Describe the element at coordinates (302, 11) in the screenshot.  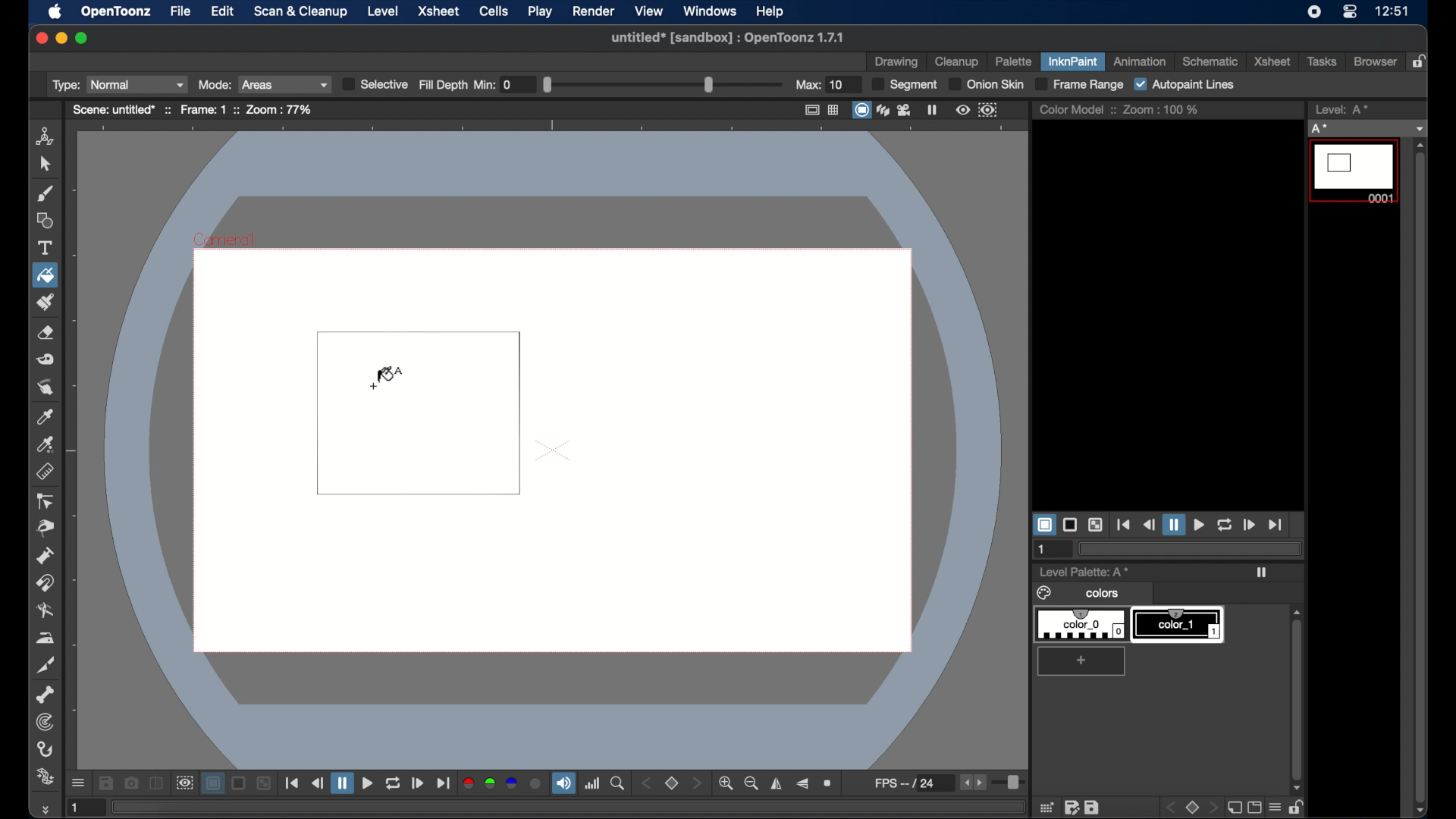
I see `scan and cleanup` at that location.